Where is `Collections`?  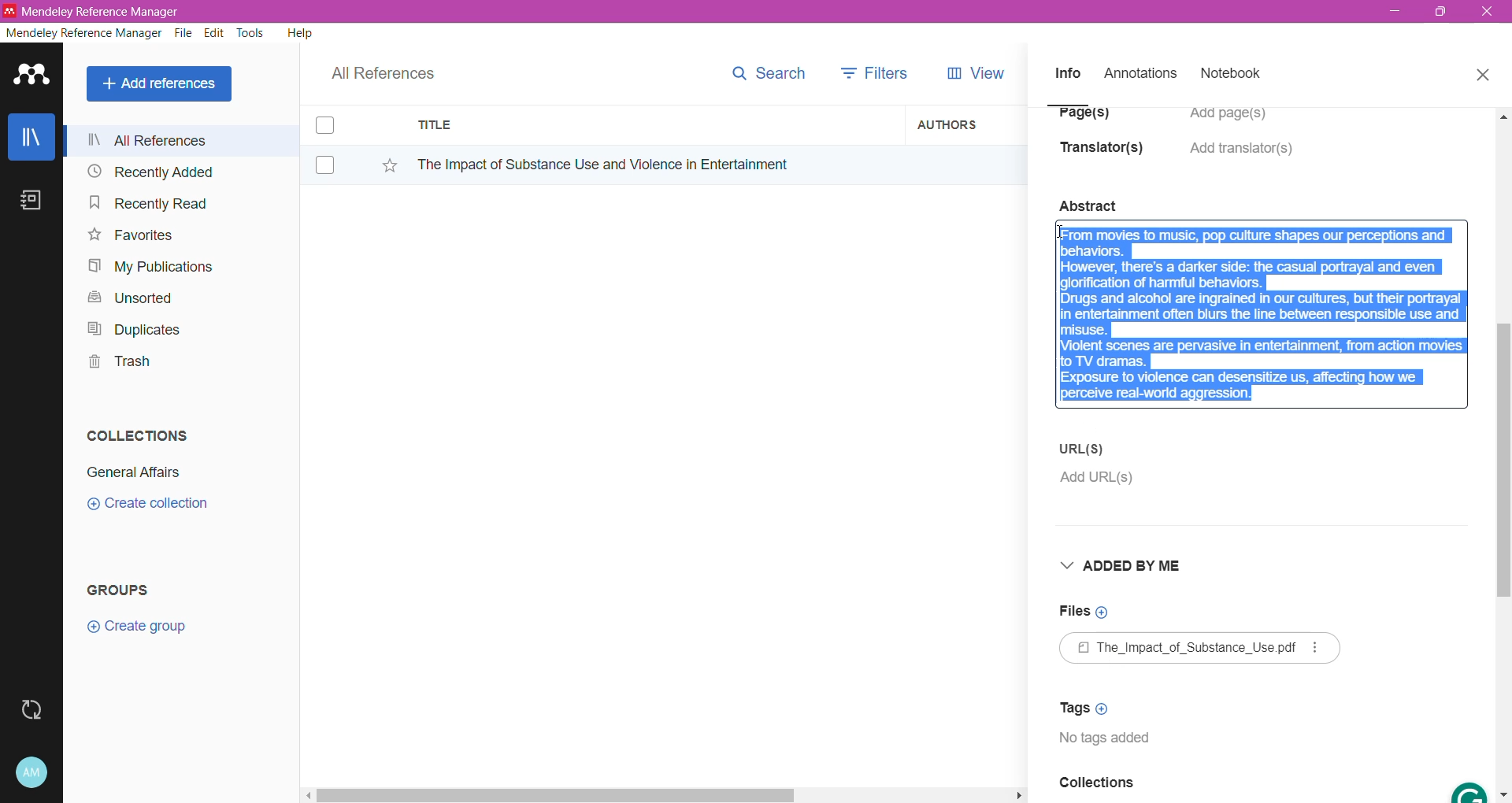 Collections is located at coordinates (1096, 787).